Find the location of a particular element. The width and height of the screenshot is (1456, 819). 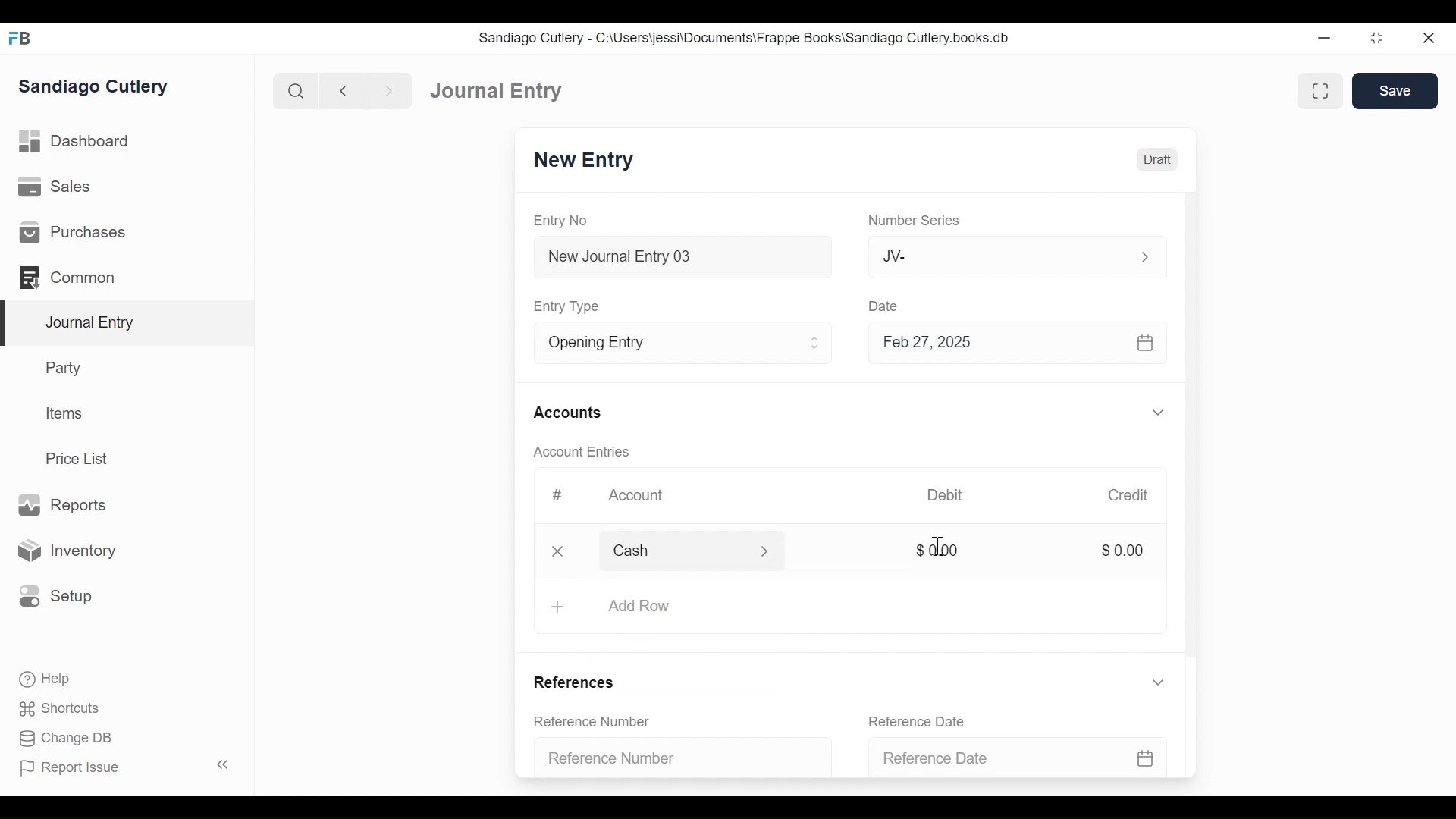

Sales is located at coordinates (55, 186).